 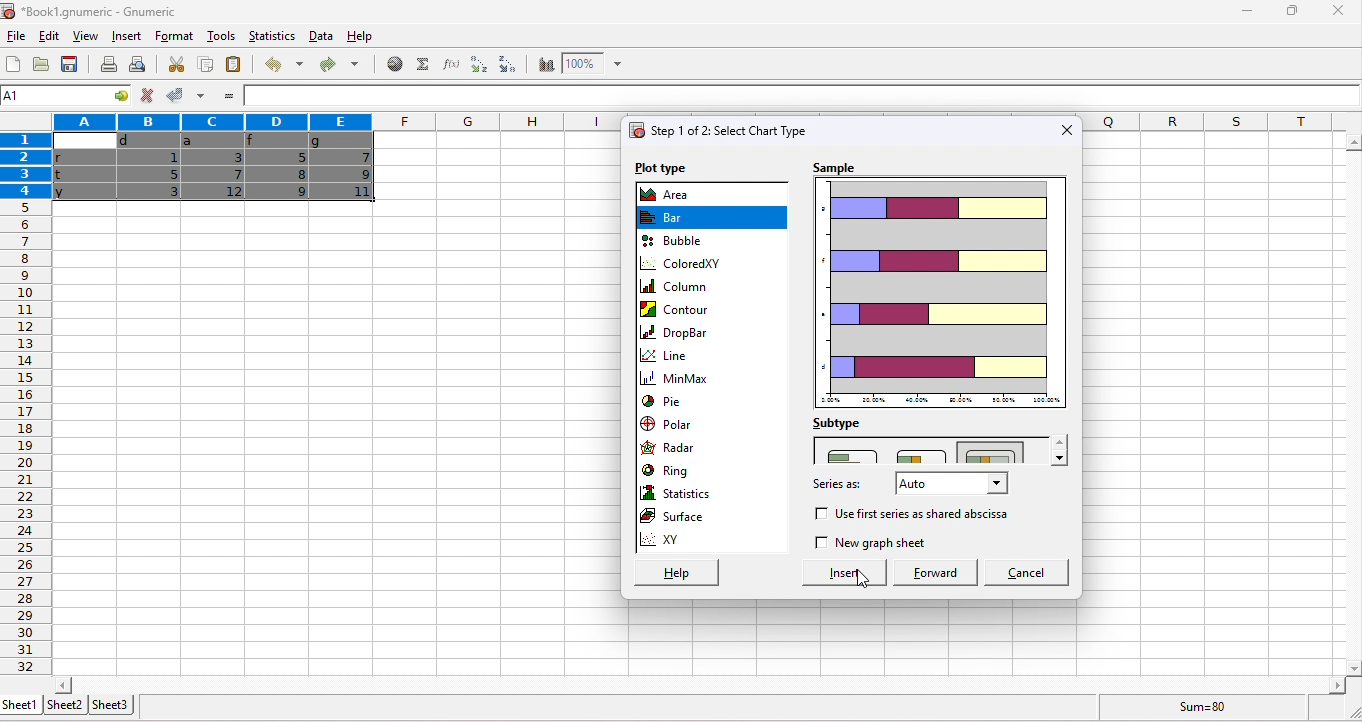 What do you see at coordinates (699, 686) in the screenshot?
I see `horizontal slider` at bounding box center [699, 686].